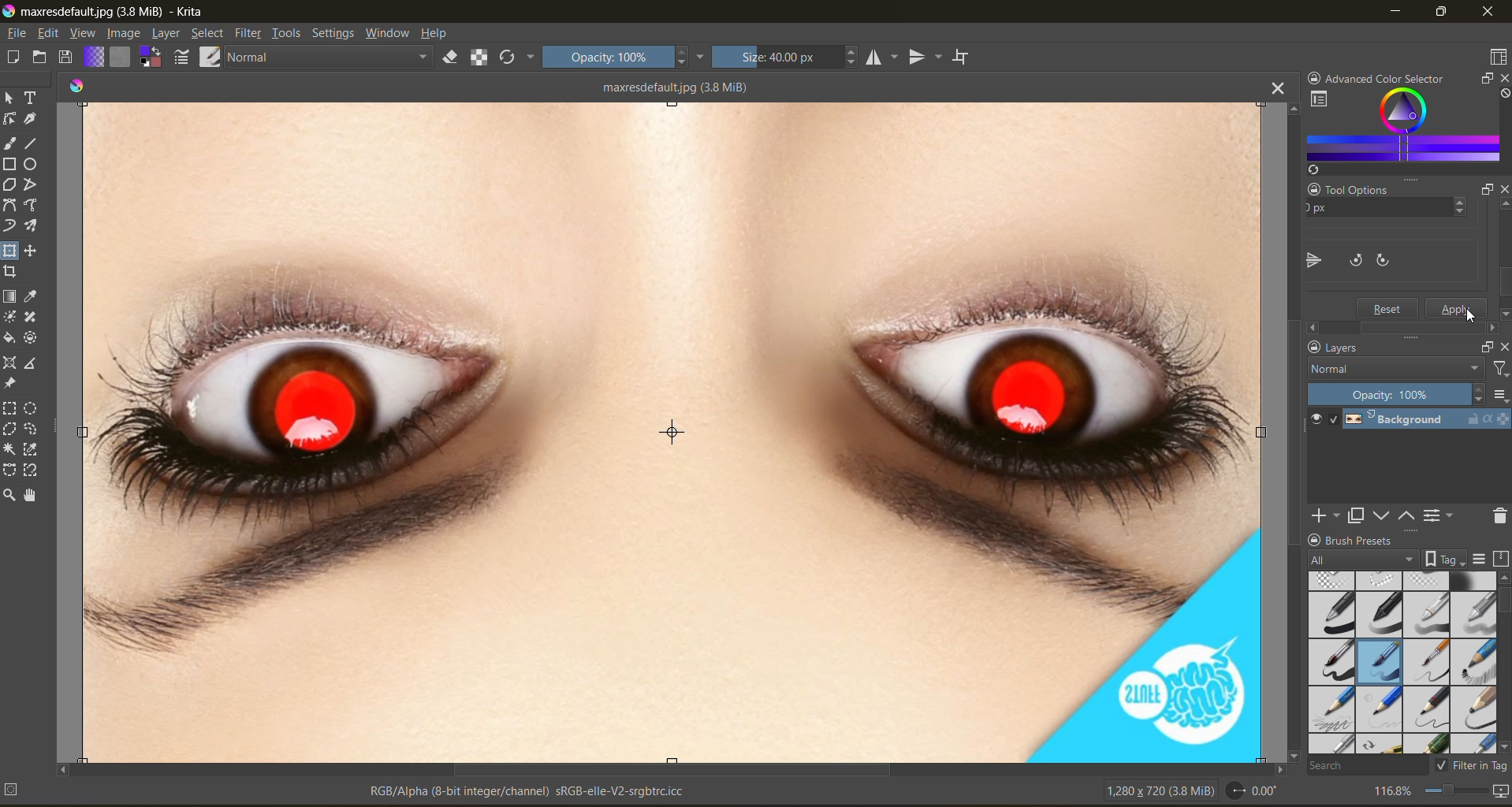  I want to click on delete mask, so click(1501, 516).